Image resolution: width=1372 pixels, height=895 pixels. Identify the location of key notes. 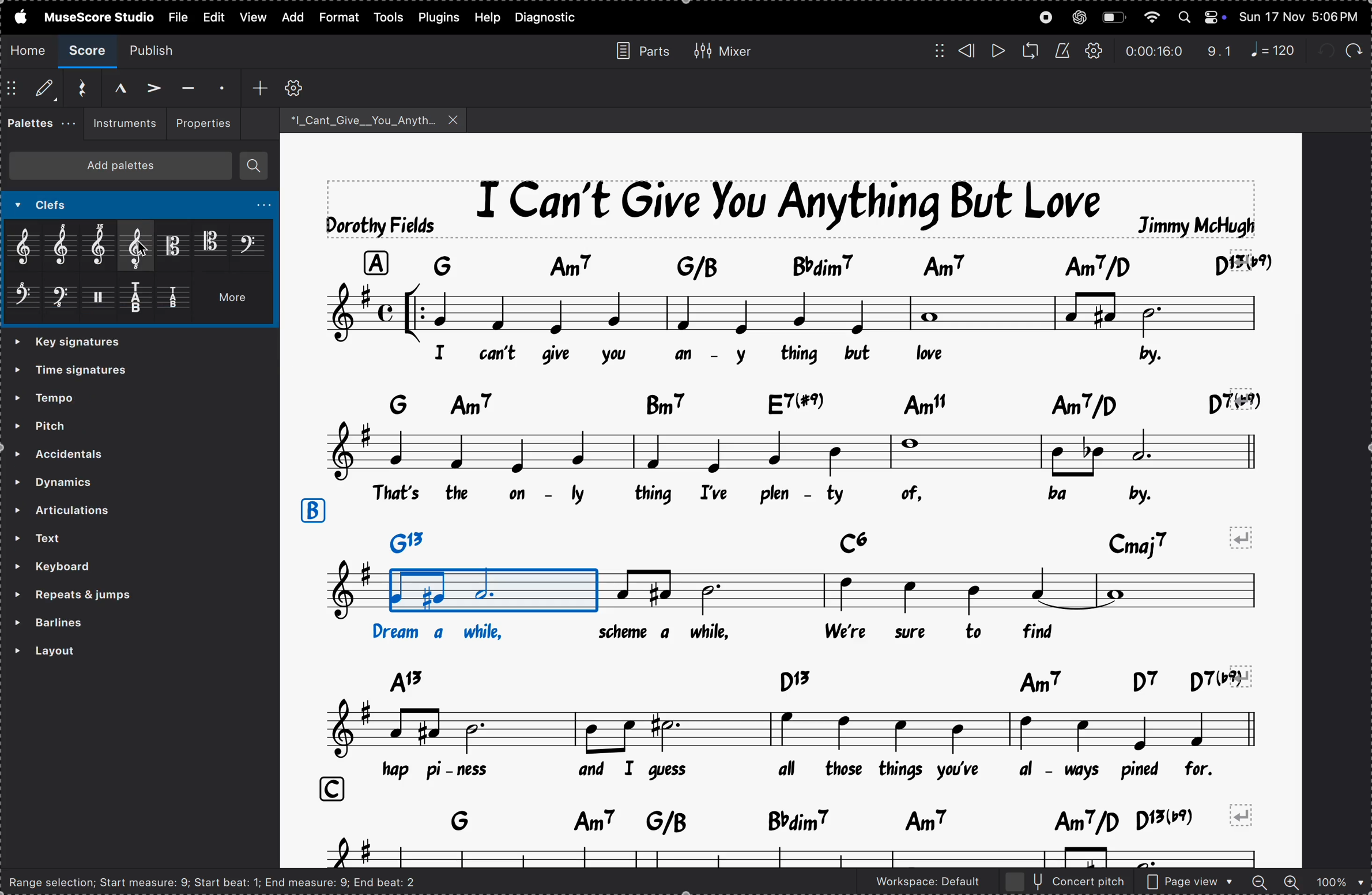
(806, 401).